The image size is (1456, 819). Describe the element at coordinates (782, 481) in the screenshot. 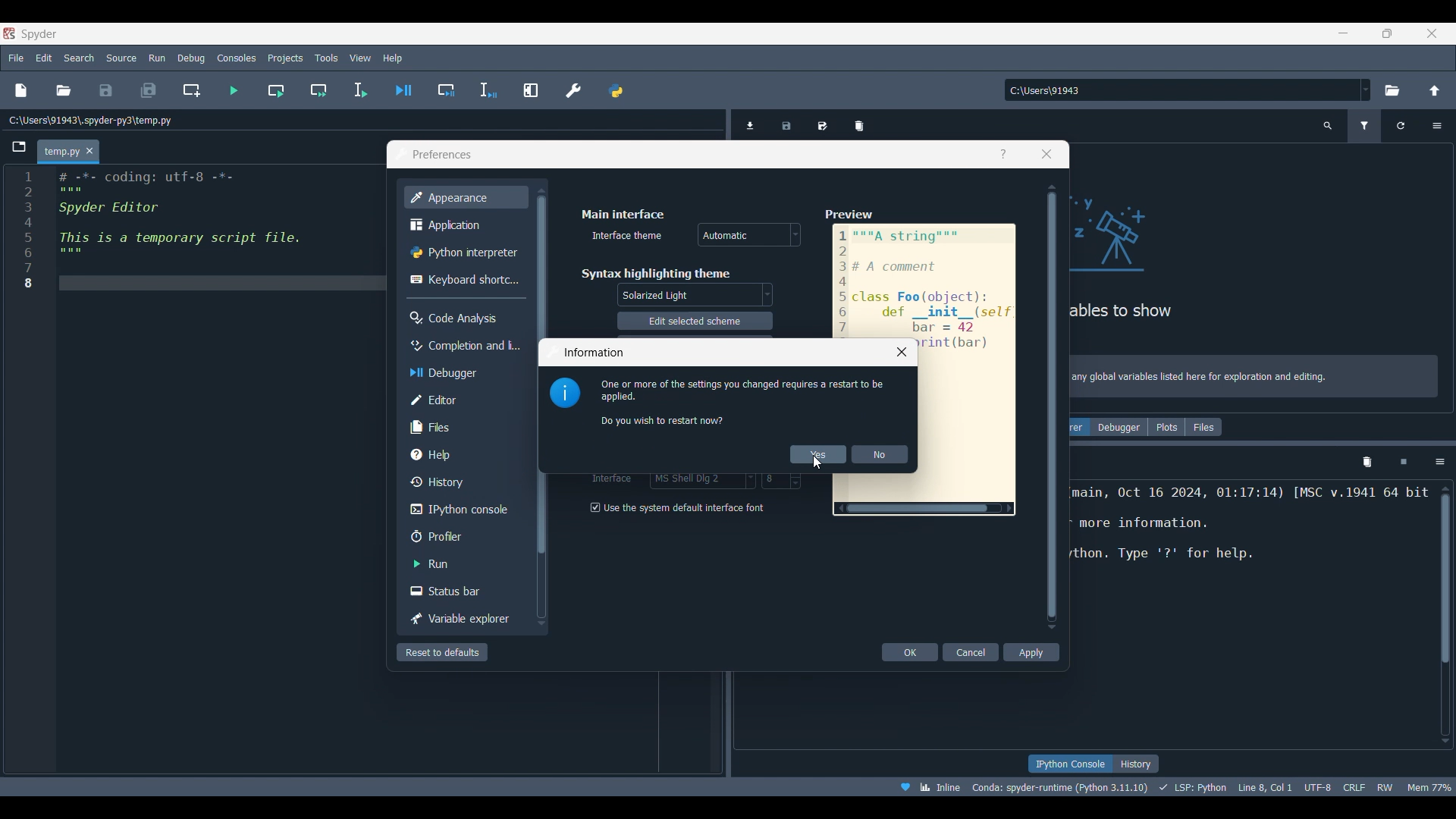

I see `font size` at that location.